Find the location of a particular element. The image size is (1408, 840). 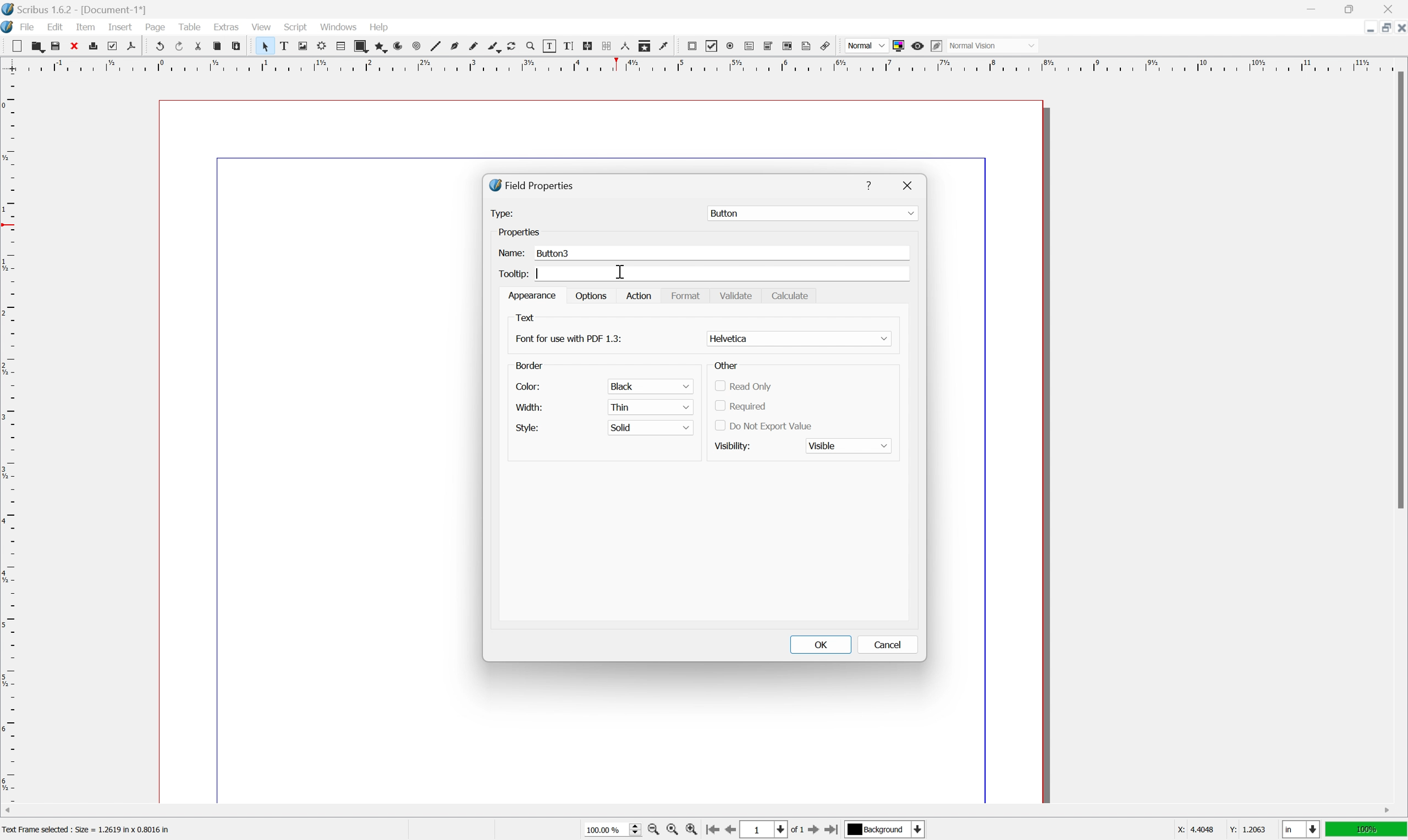

arc is located at coordinates (397, 47).